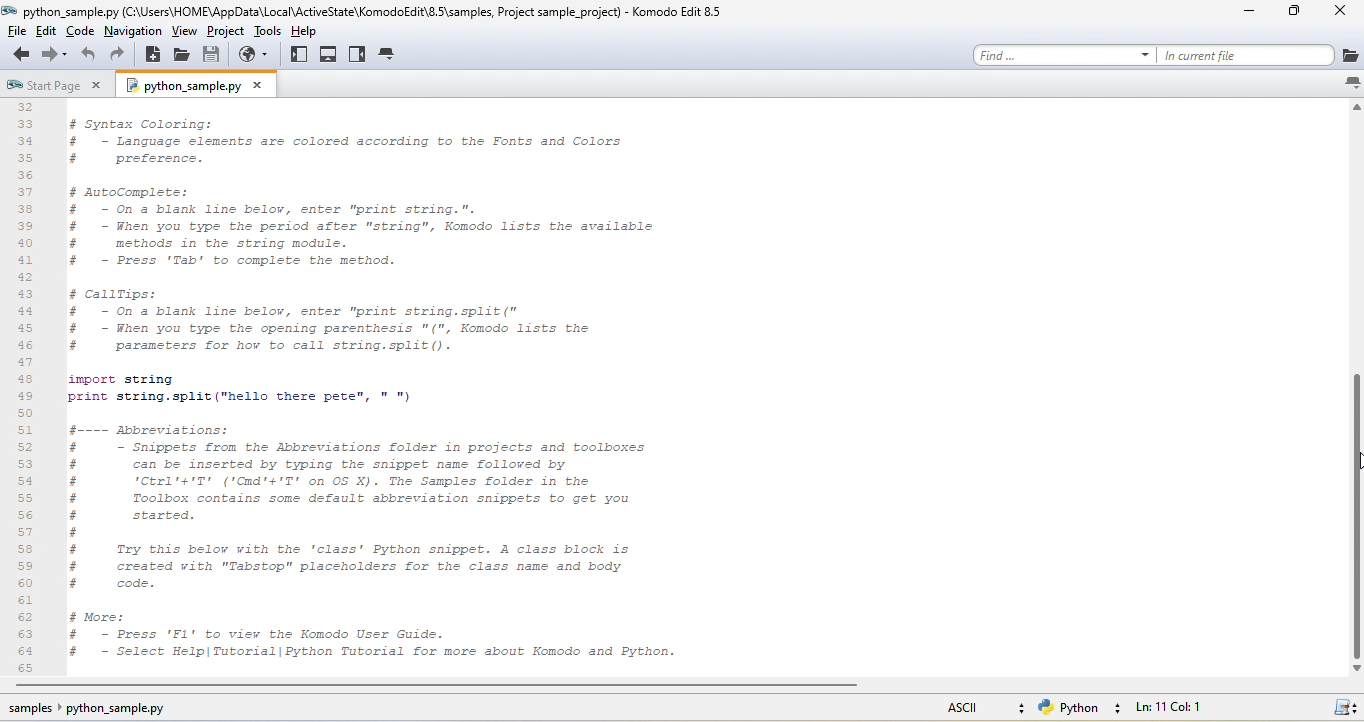 This screenshot has width=1364, height=722. Describe the element at coordinates (122, 57) in the screenshot. I see `redo` at that location.